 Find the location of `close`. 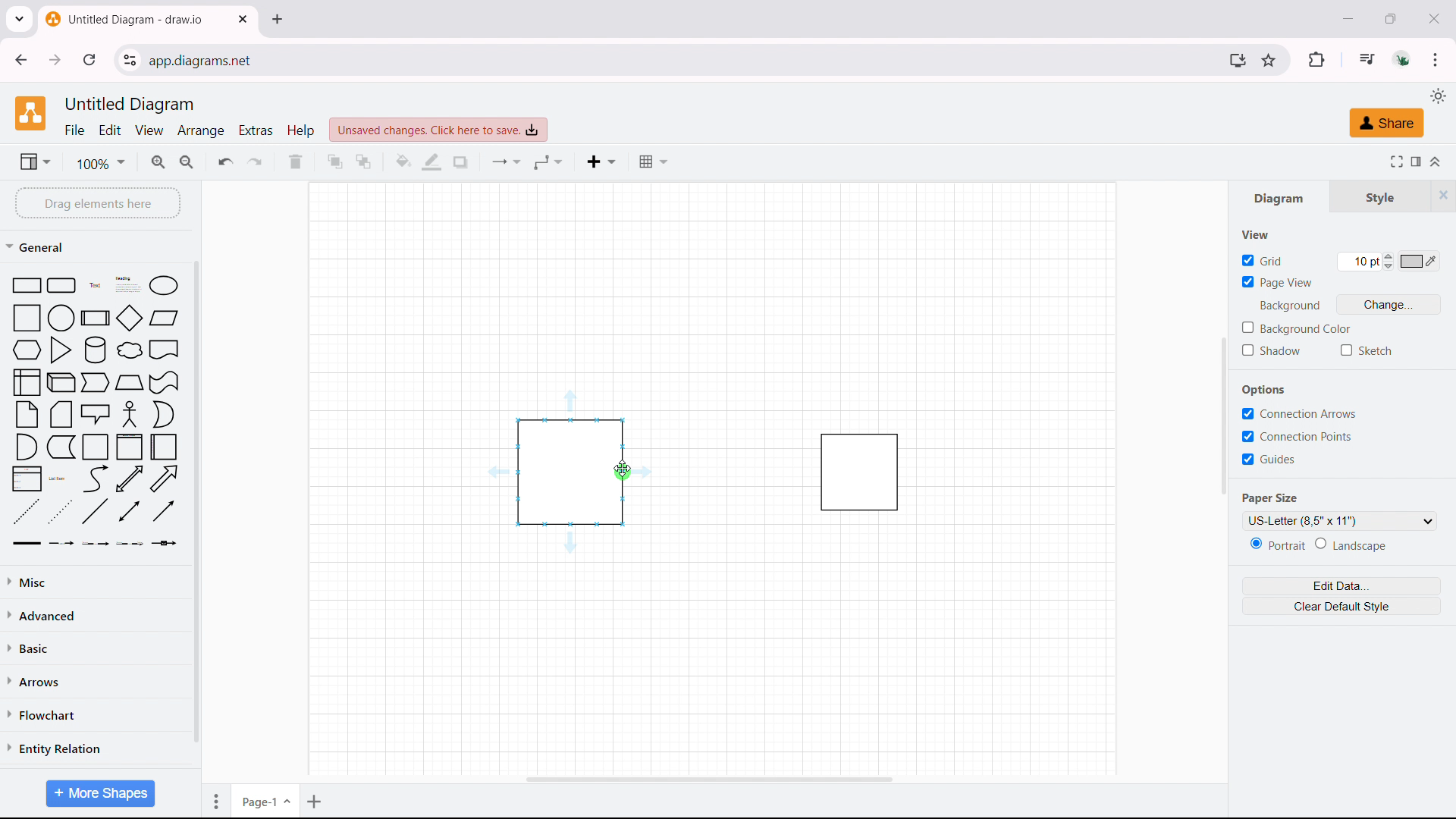

close is located at coordinates (1433, 17).